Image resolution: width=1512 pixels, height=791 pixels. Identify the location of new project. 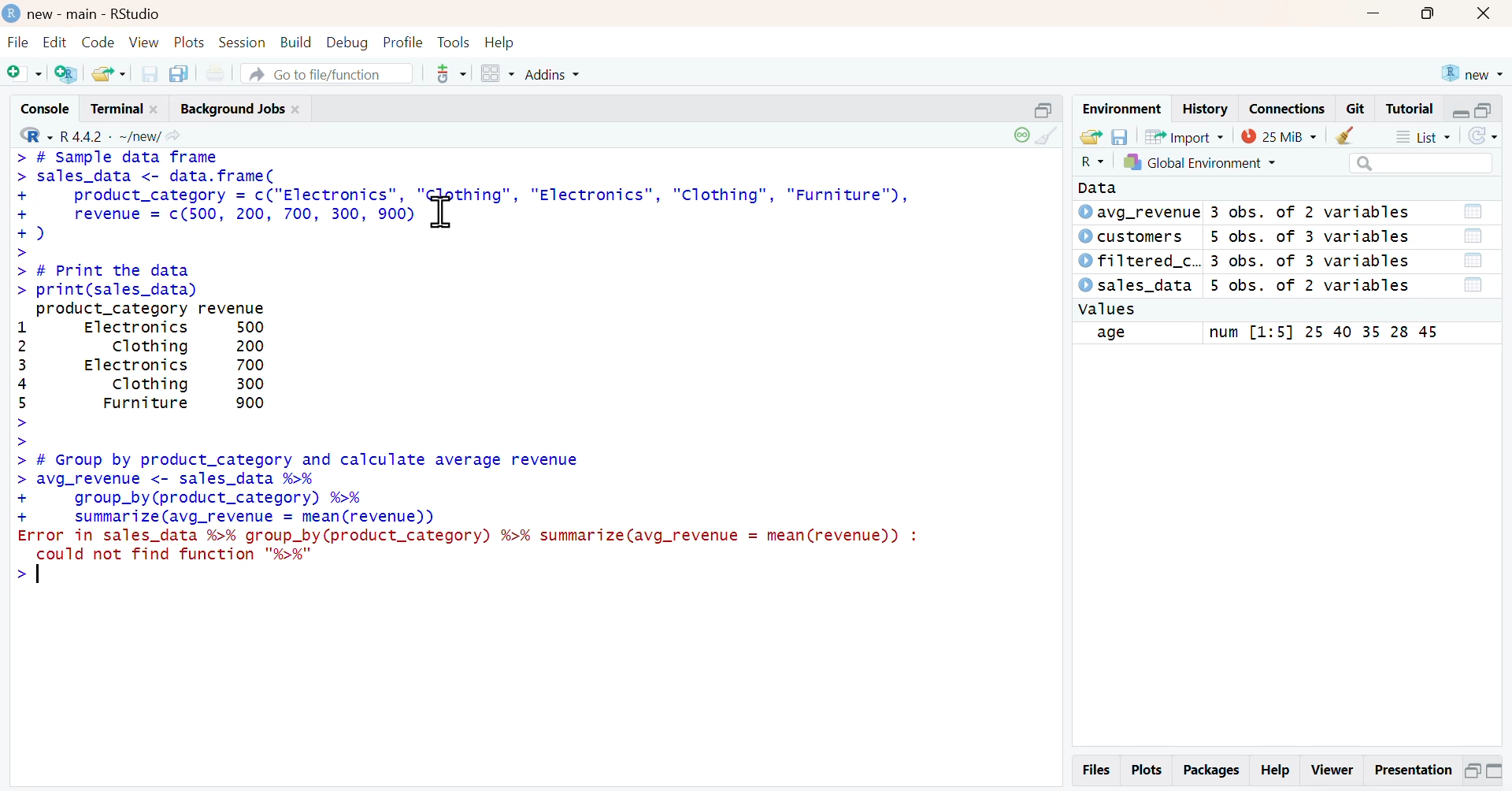
(1471, 73).